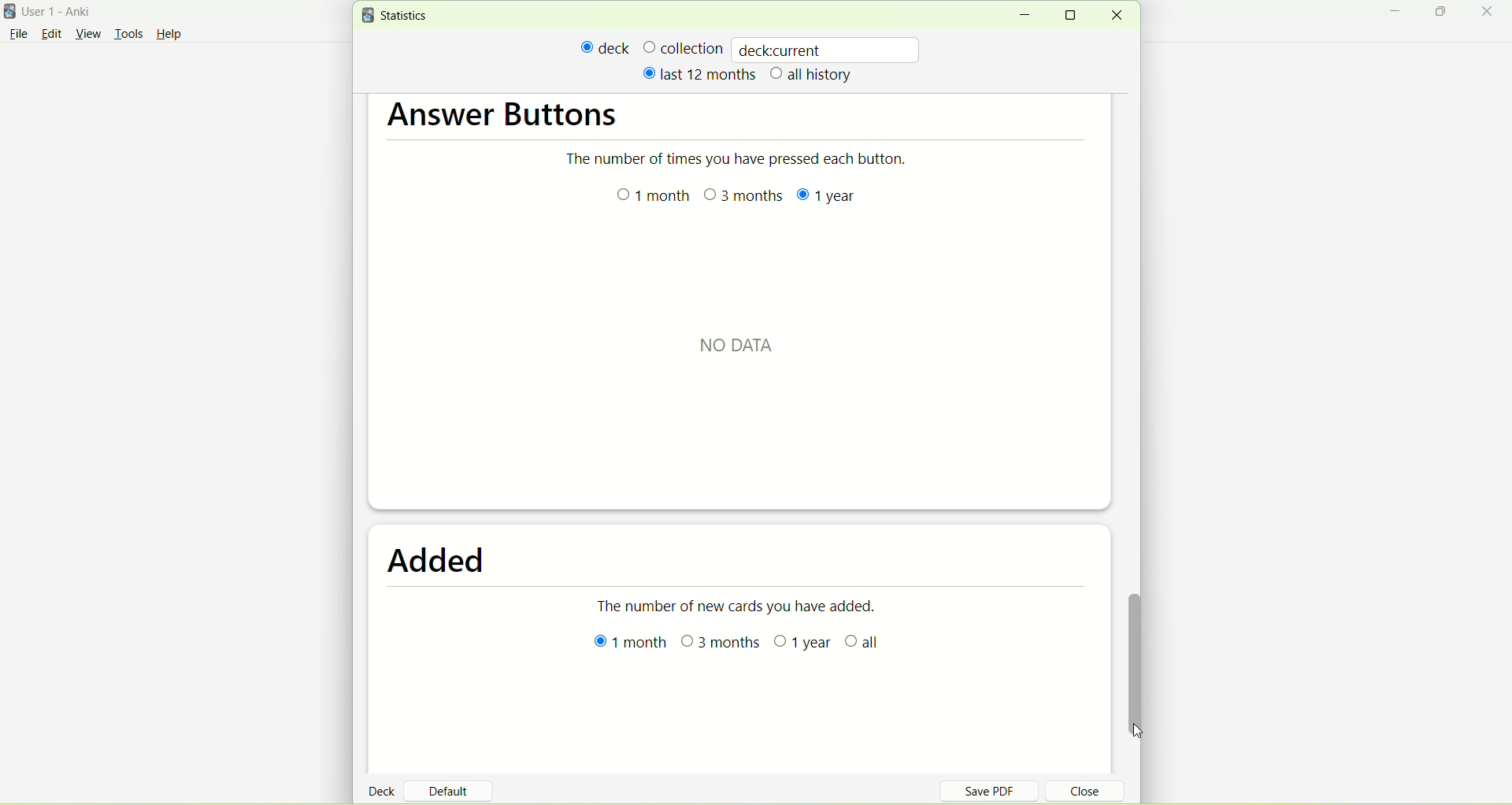  Describe the element at coordinates (67, 14) in the screenshot. I see `User 1- Anki` at that location.